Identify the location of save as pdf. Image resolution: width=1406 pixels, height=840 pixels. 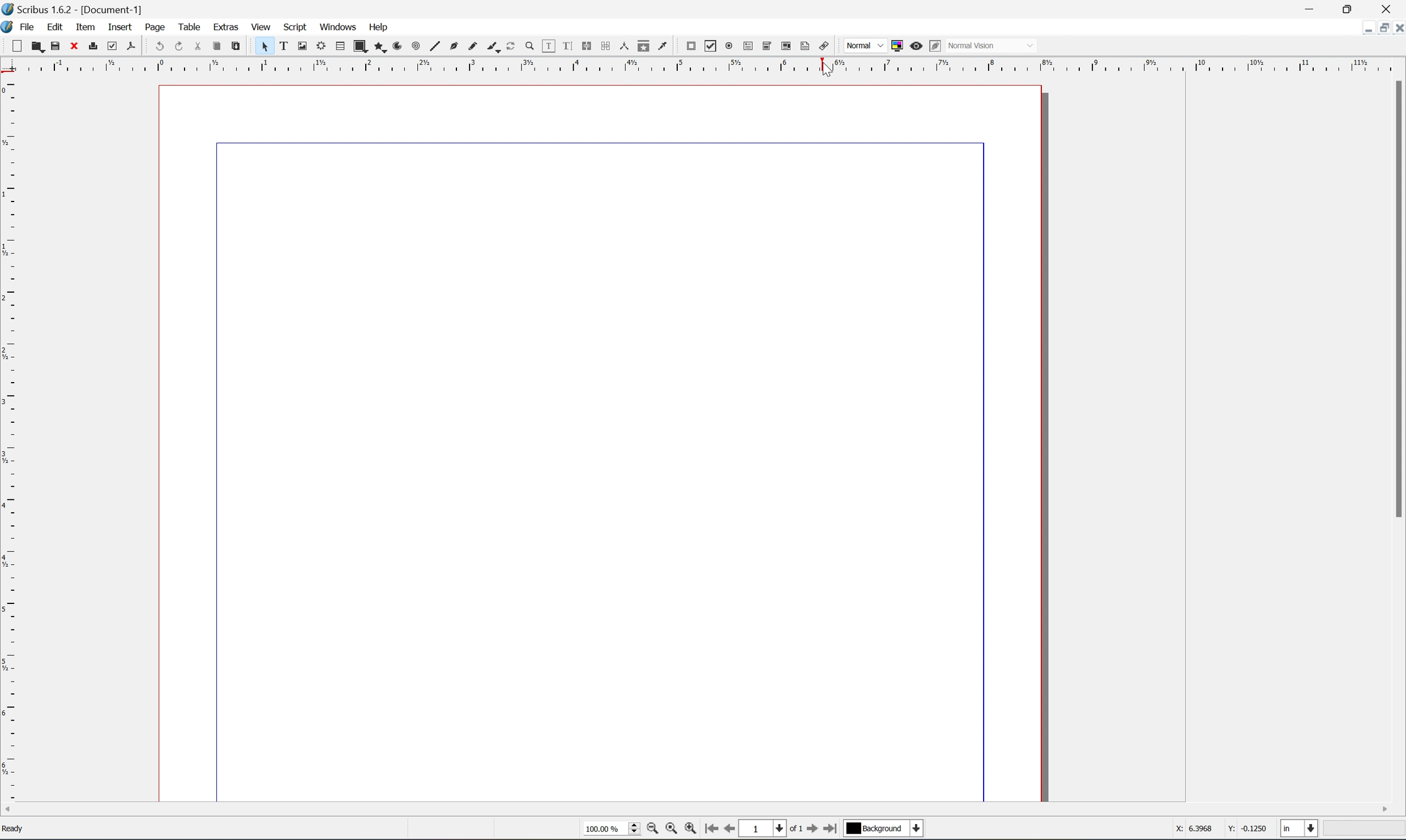
(132, 47).